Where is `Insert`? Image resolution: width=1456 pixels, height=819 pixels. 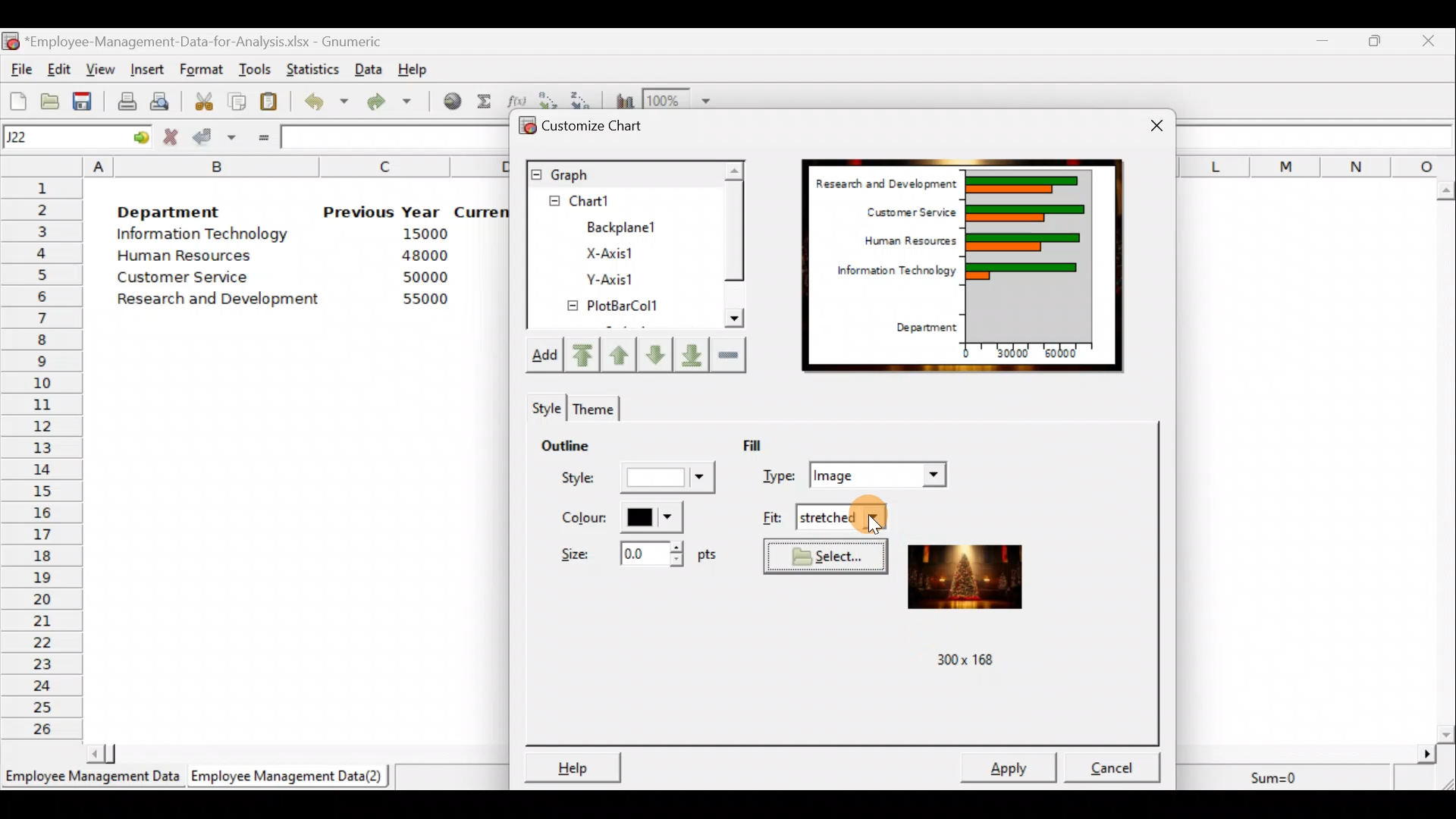 Insert is located at coordinates (150, 67).